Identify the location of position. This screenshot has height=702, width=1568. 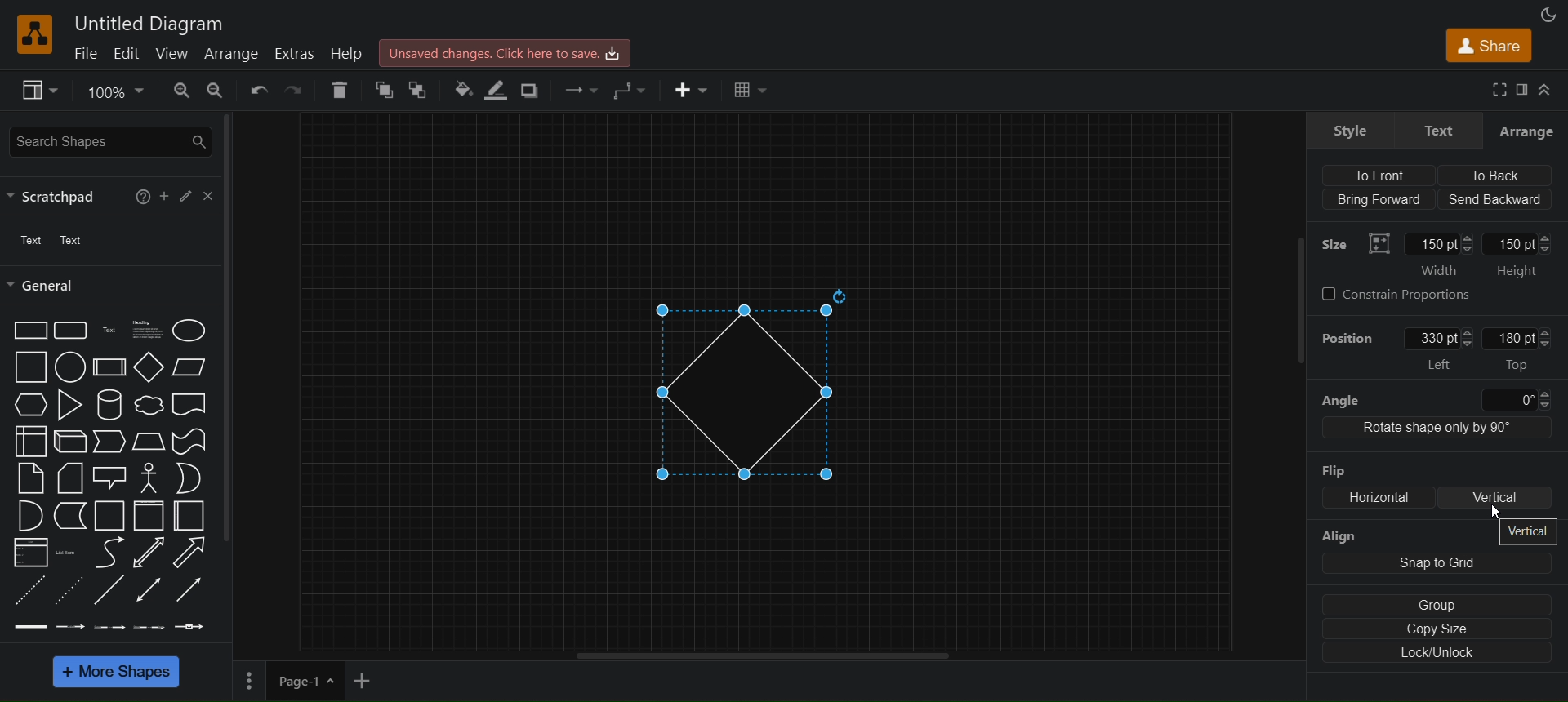
(1348, 335).